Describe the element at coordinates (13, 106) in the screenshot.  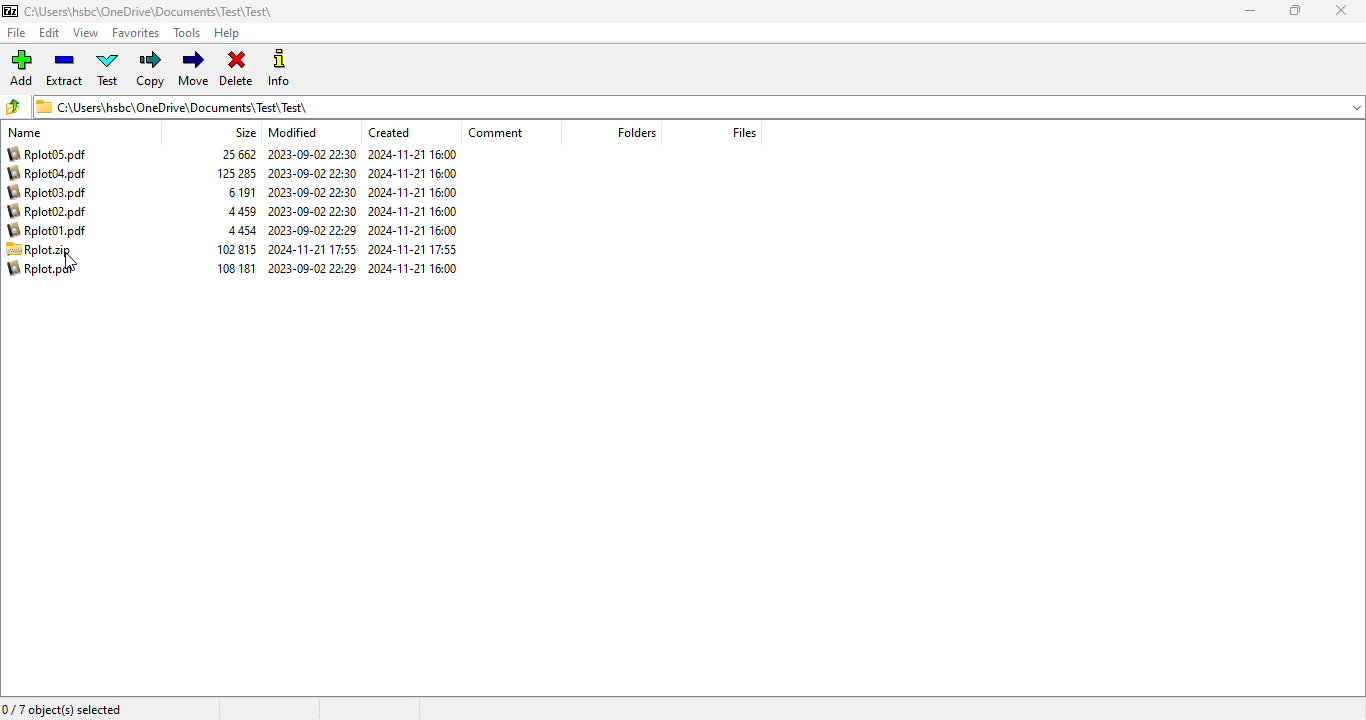
I see `browse folders` at that location.